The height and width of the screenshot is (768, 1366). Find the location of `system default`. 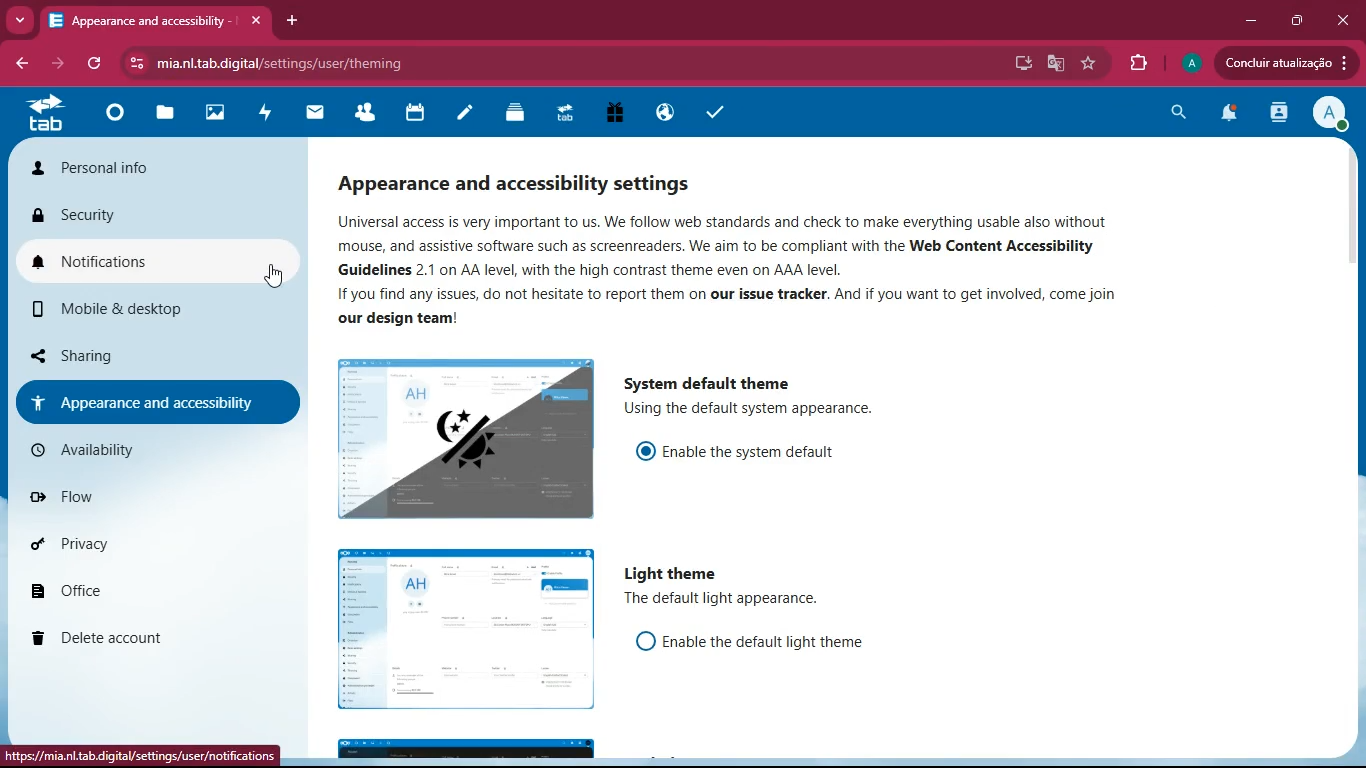

system default is located at coordinates (714, 380).